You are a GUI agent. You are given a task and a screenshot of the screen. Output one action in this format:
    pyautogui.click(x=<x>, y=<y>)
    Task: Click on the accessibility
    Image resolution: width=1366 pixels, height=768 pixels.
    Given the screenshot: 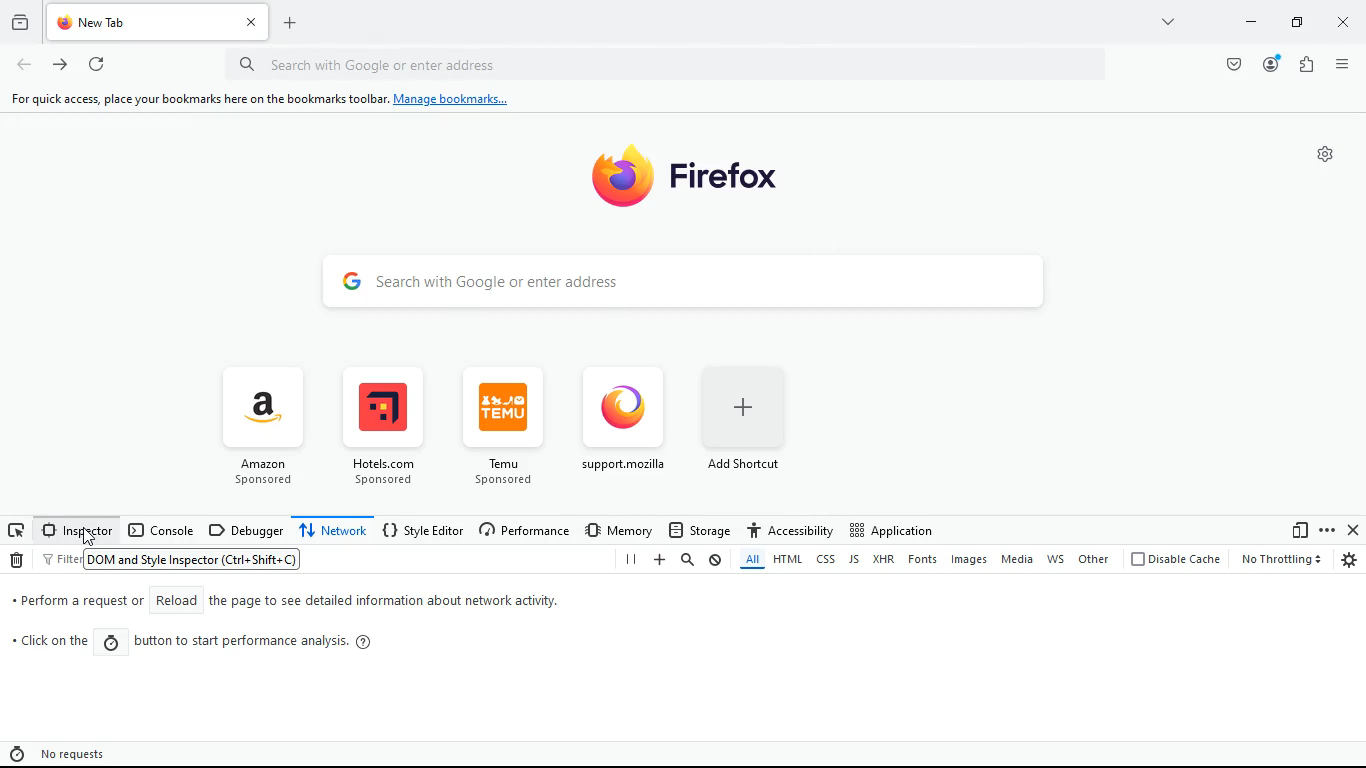 What is the action you would take?
    pyautogui.click(x=789, y=528)
    